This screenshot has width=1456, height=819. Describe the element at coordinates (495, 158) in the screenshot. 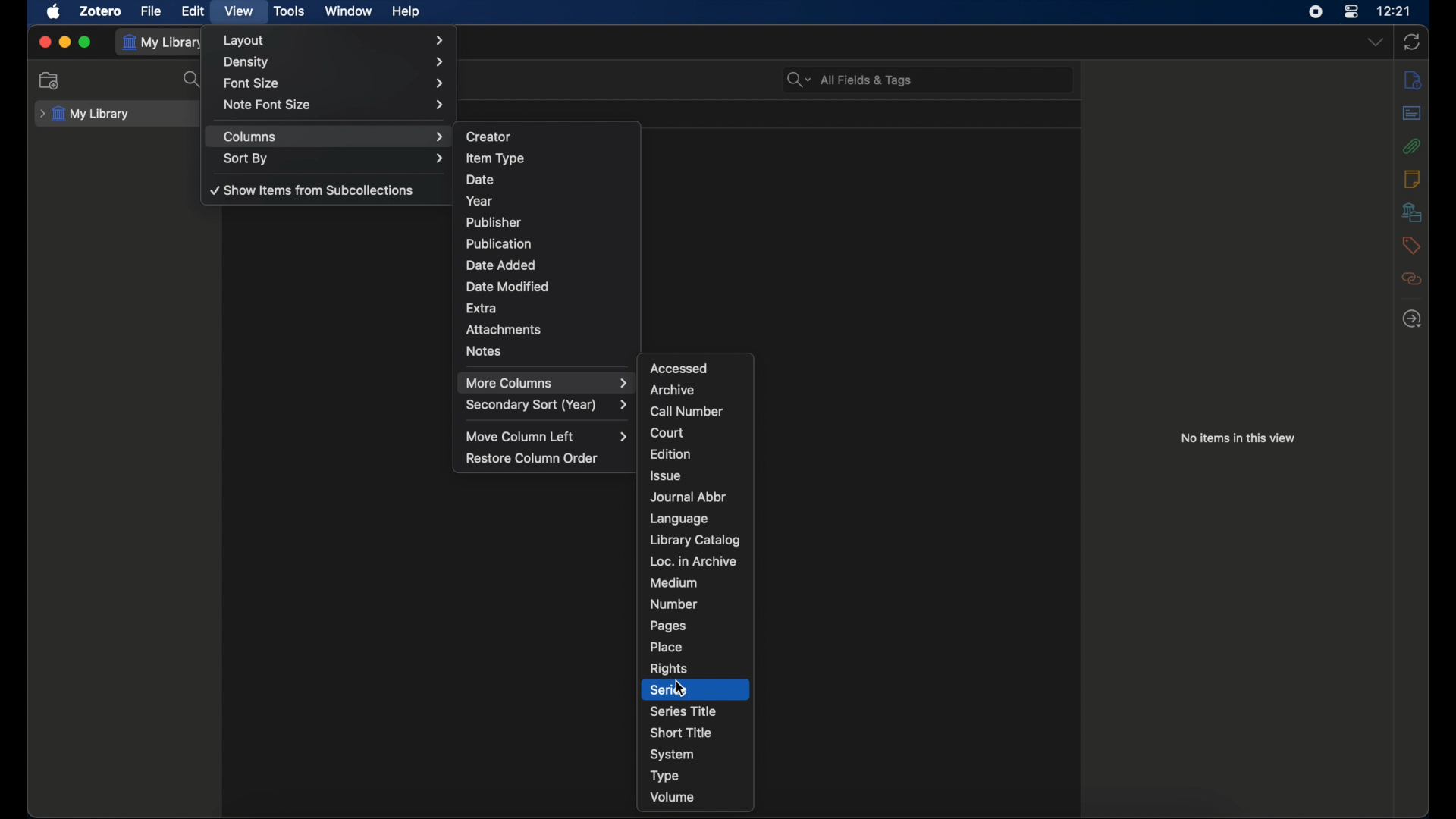

I see `item type` at that location.